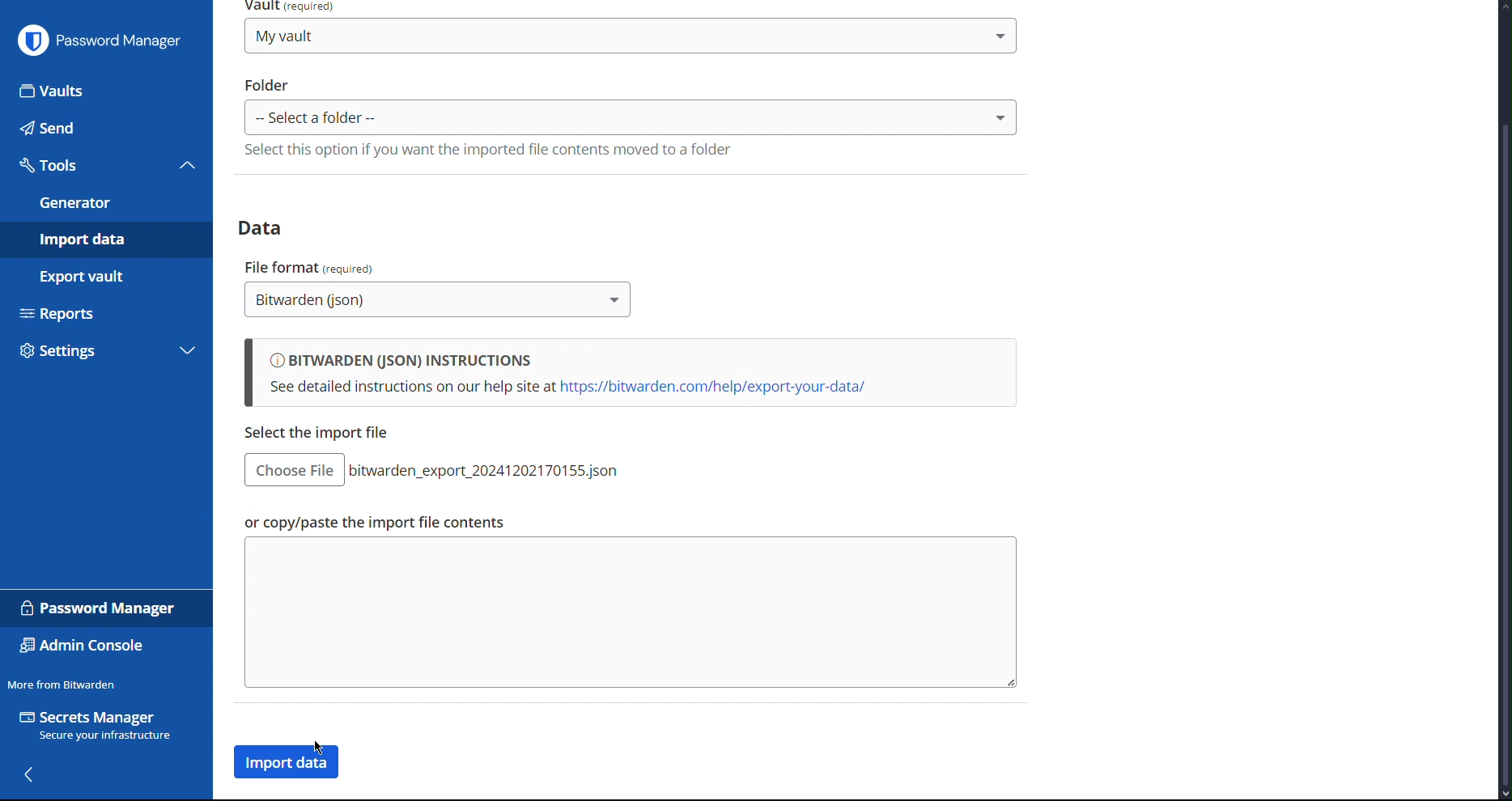 The height and width of the screenshot is (801, 1512). What do you see at coordinates (83, 647) in the screenshot?
I see `Admin Console` at bounding box center [83, 647].